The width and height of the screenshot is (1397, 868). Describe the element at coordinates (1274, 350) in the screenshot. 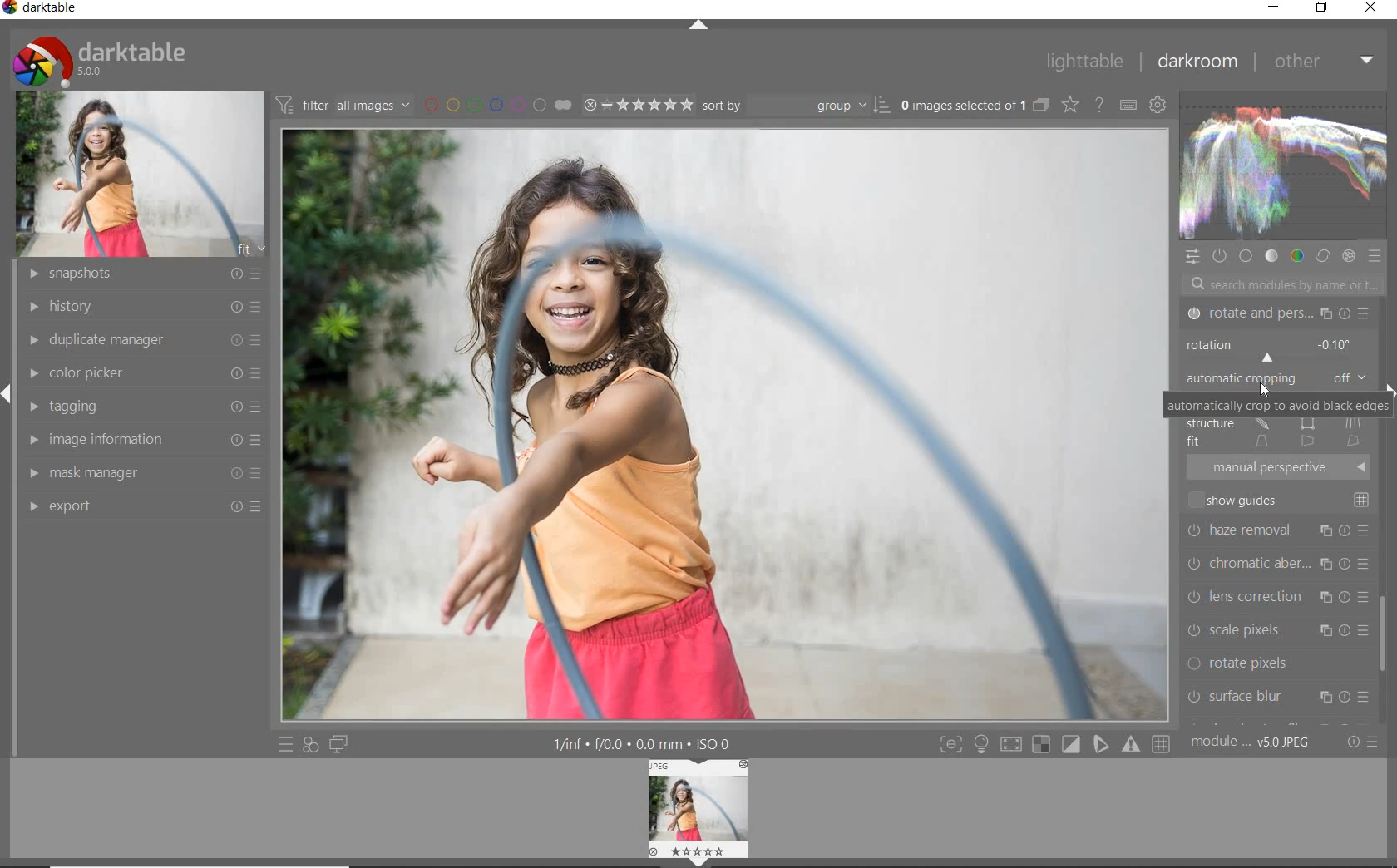

I see `ROTATION` at that location.